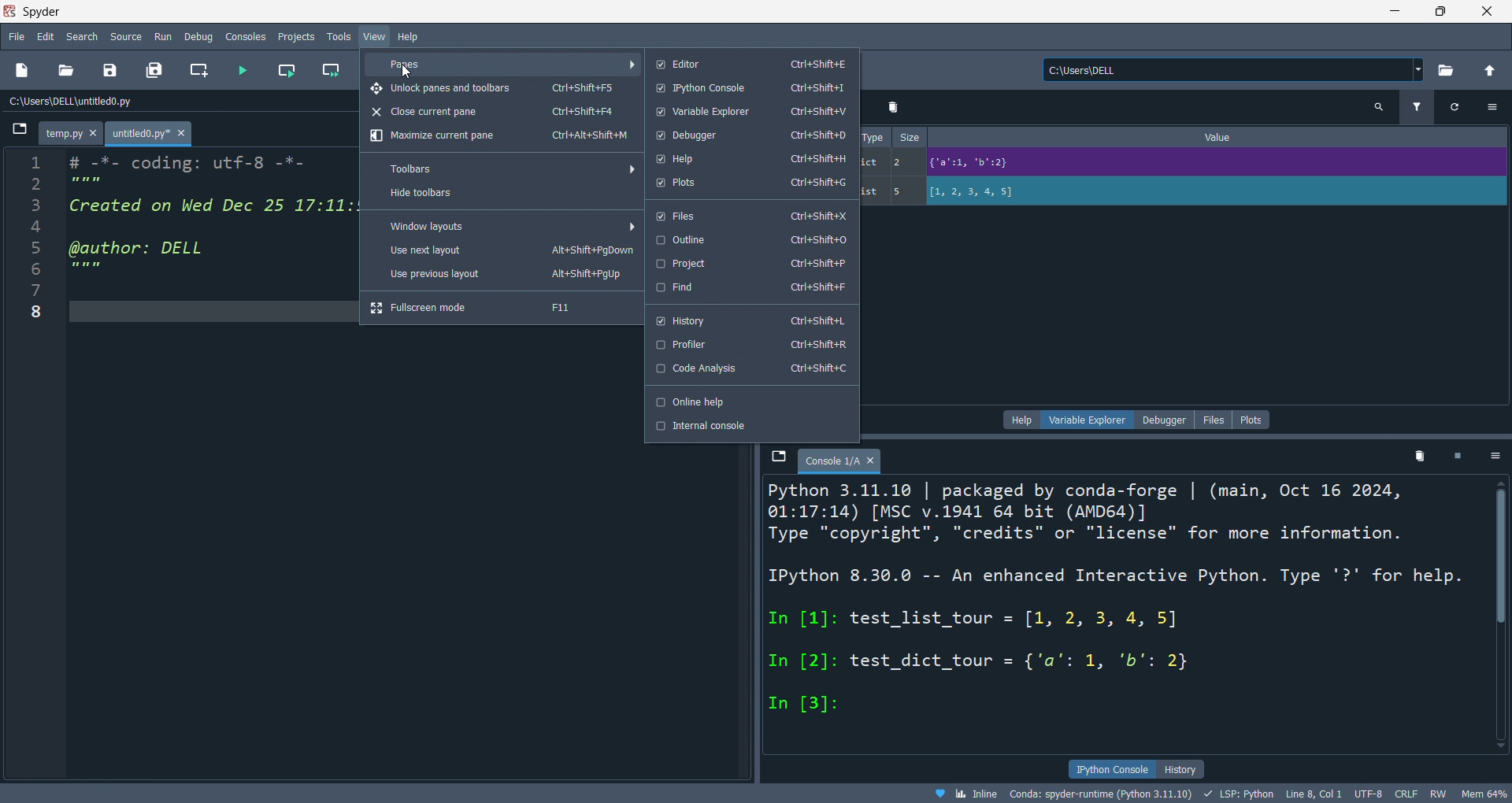  I want to click on tab, so click(840, 461).